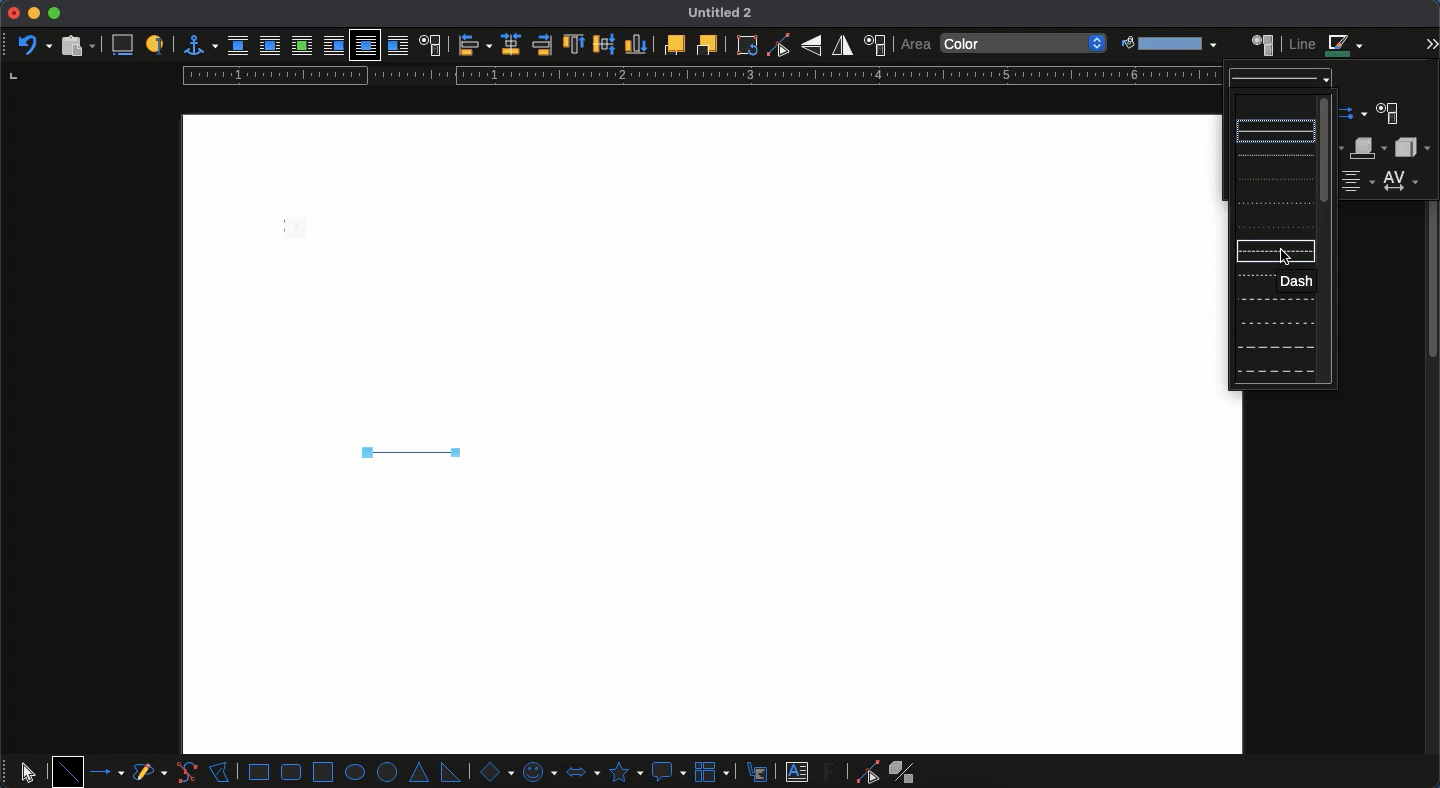 Image resolution: width=1440 pixels, height=788 pixels. Describe the element at coordinates (494, 771) in the screenshot. I see `basic shapes` at that location.